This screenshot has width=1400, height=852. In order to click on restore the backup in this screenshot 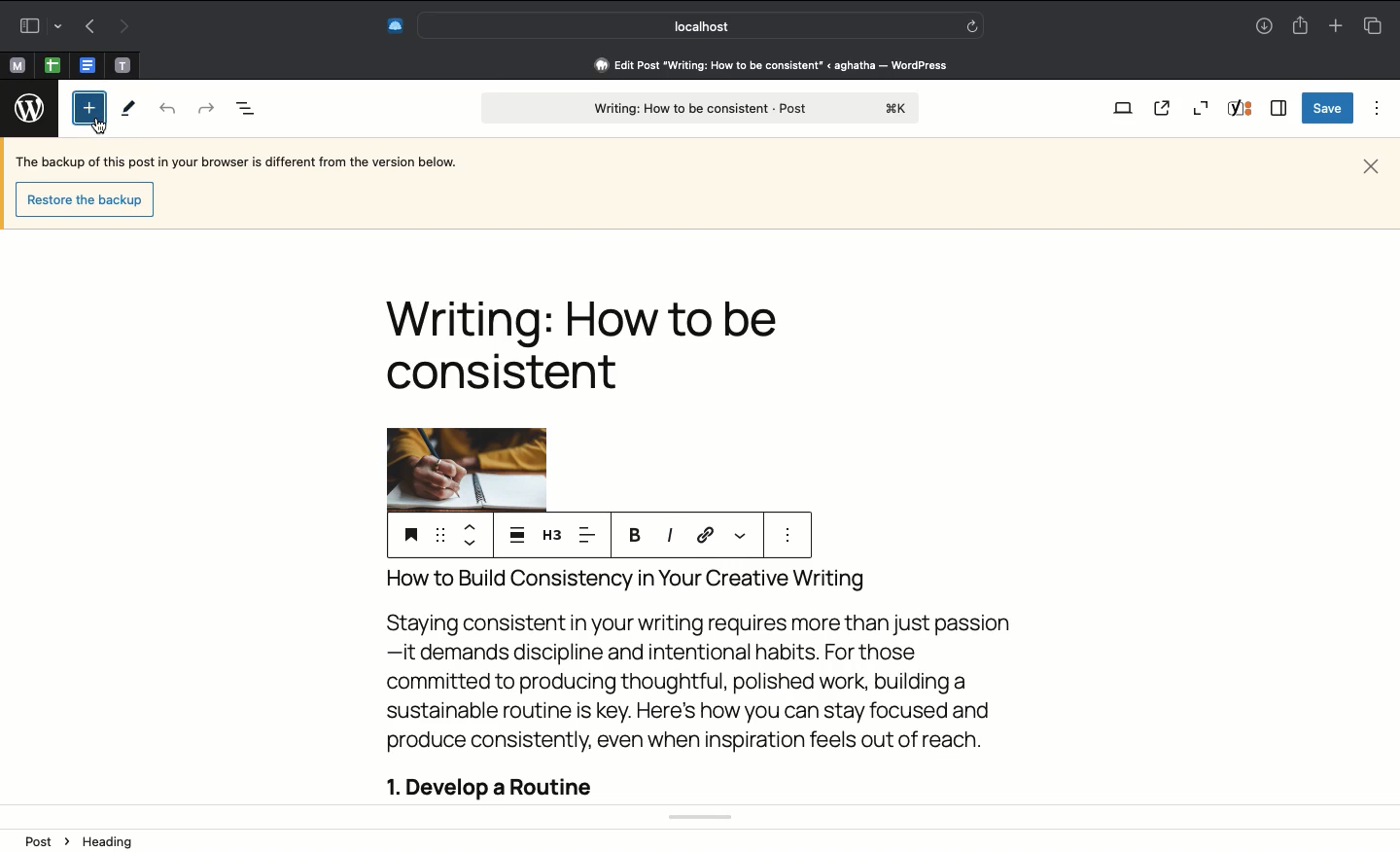, I will do `click(85, 199)`.